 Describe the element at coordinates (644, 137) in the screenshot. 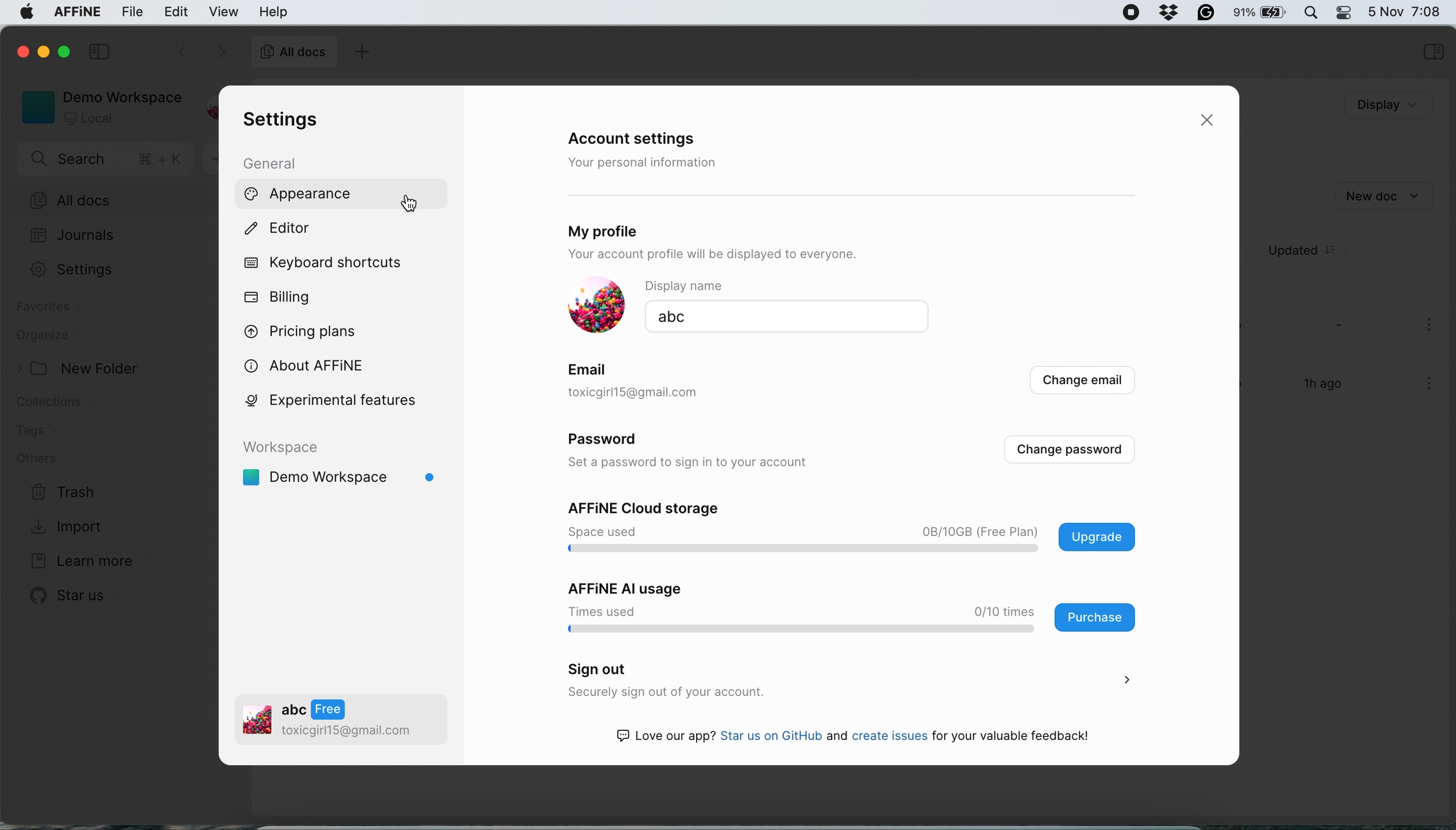

I see `account settings` at that location.